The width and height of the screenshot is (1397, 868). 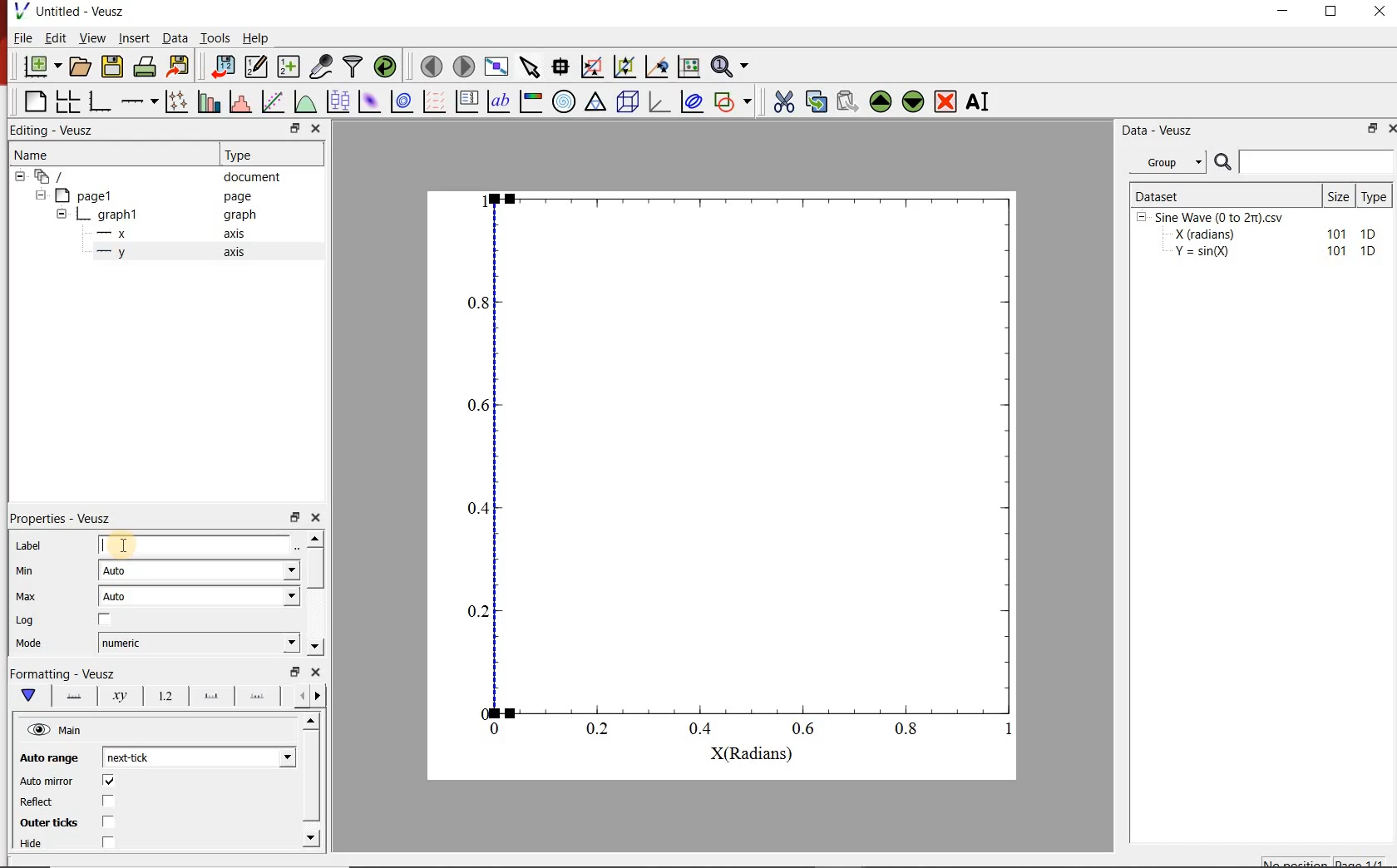 What do you see at coordinates (56, 38) in the screenshot?
I see `Edit` at bounding box center [56, 38].